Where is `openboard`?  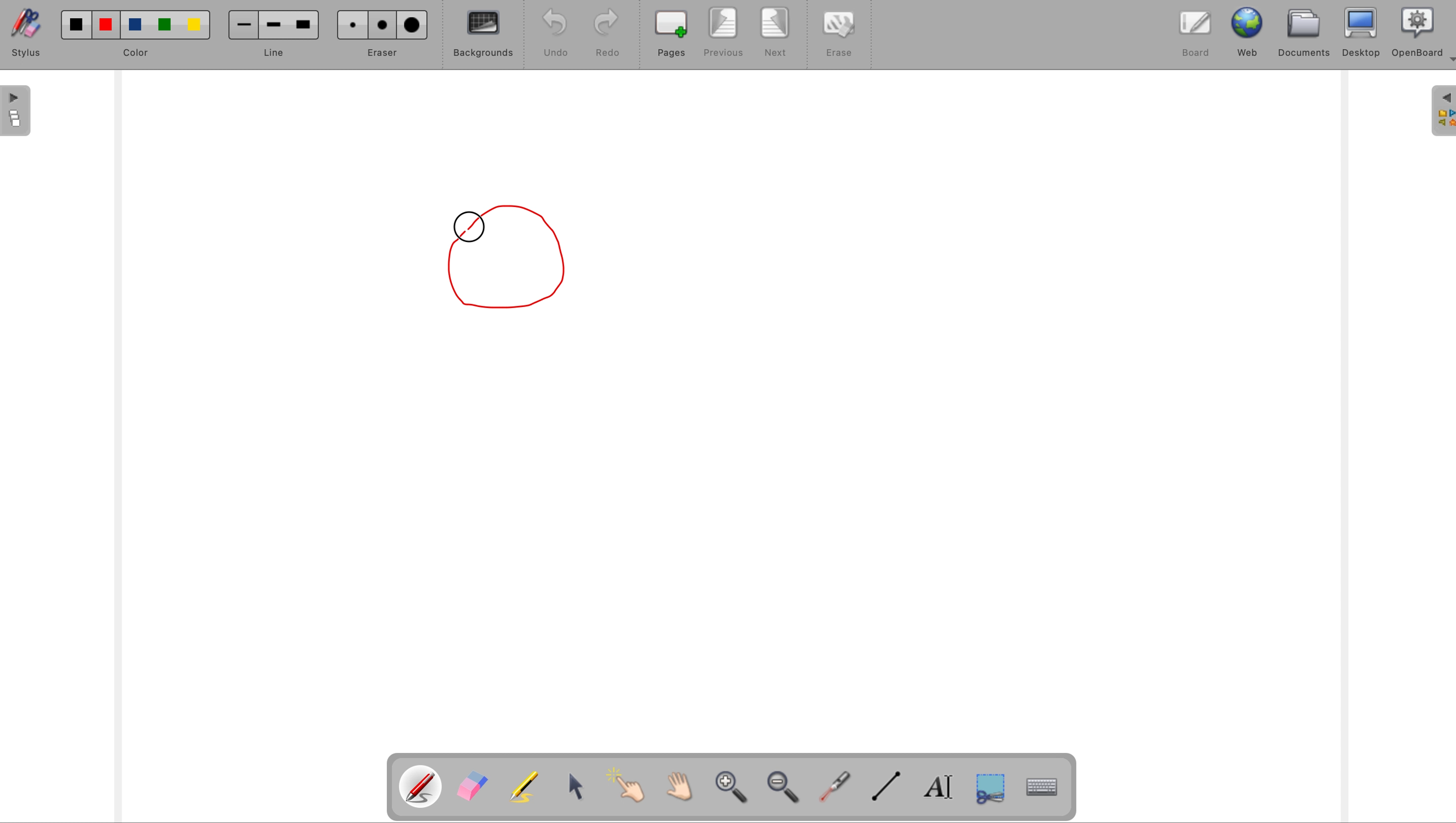 openboard is located at coordinates (1415, 33).